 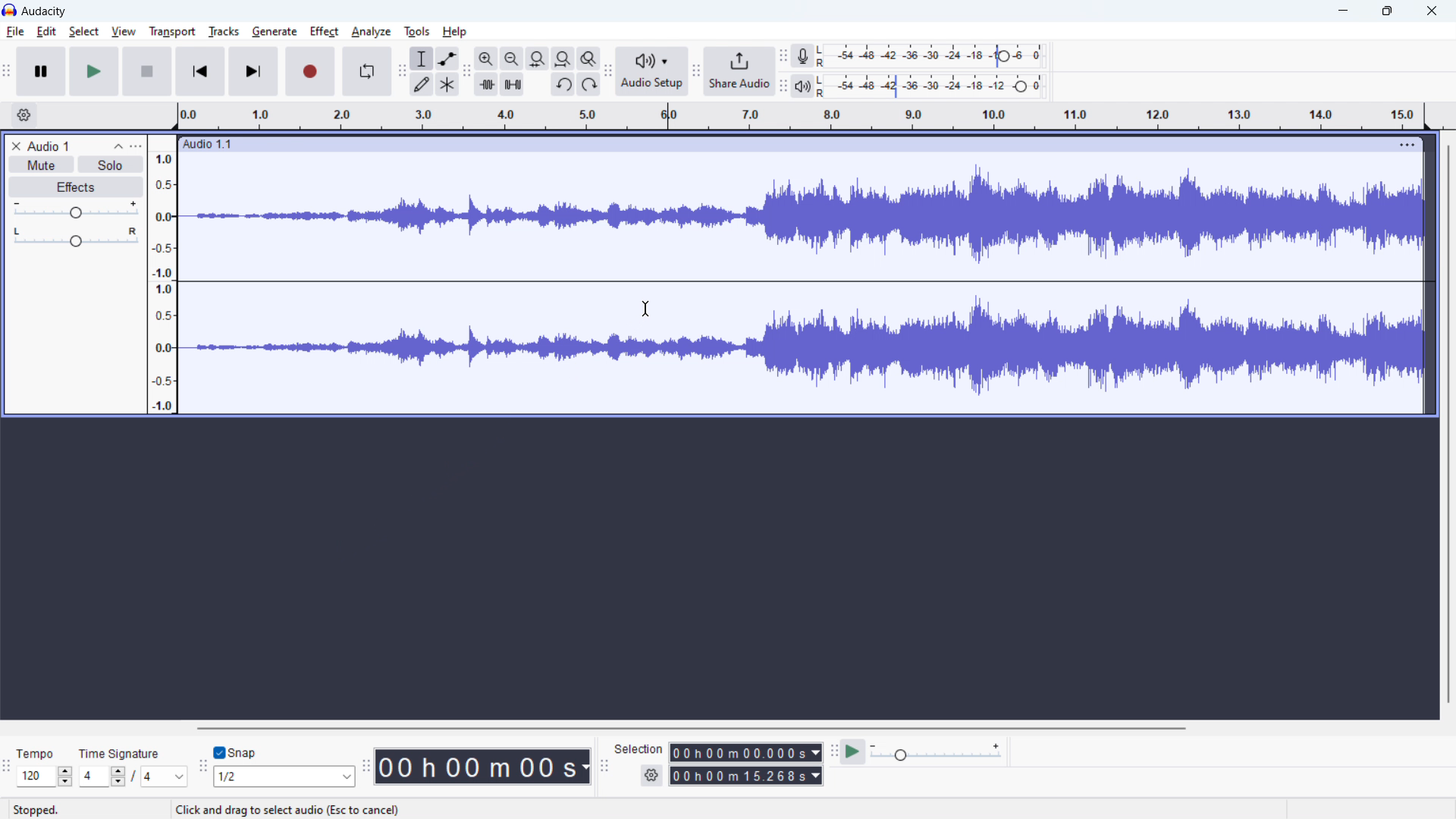 I want to click on generate, so click(x=275, y=32).